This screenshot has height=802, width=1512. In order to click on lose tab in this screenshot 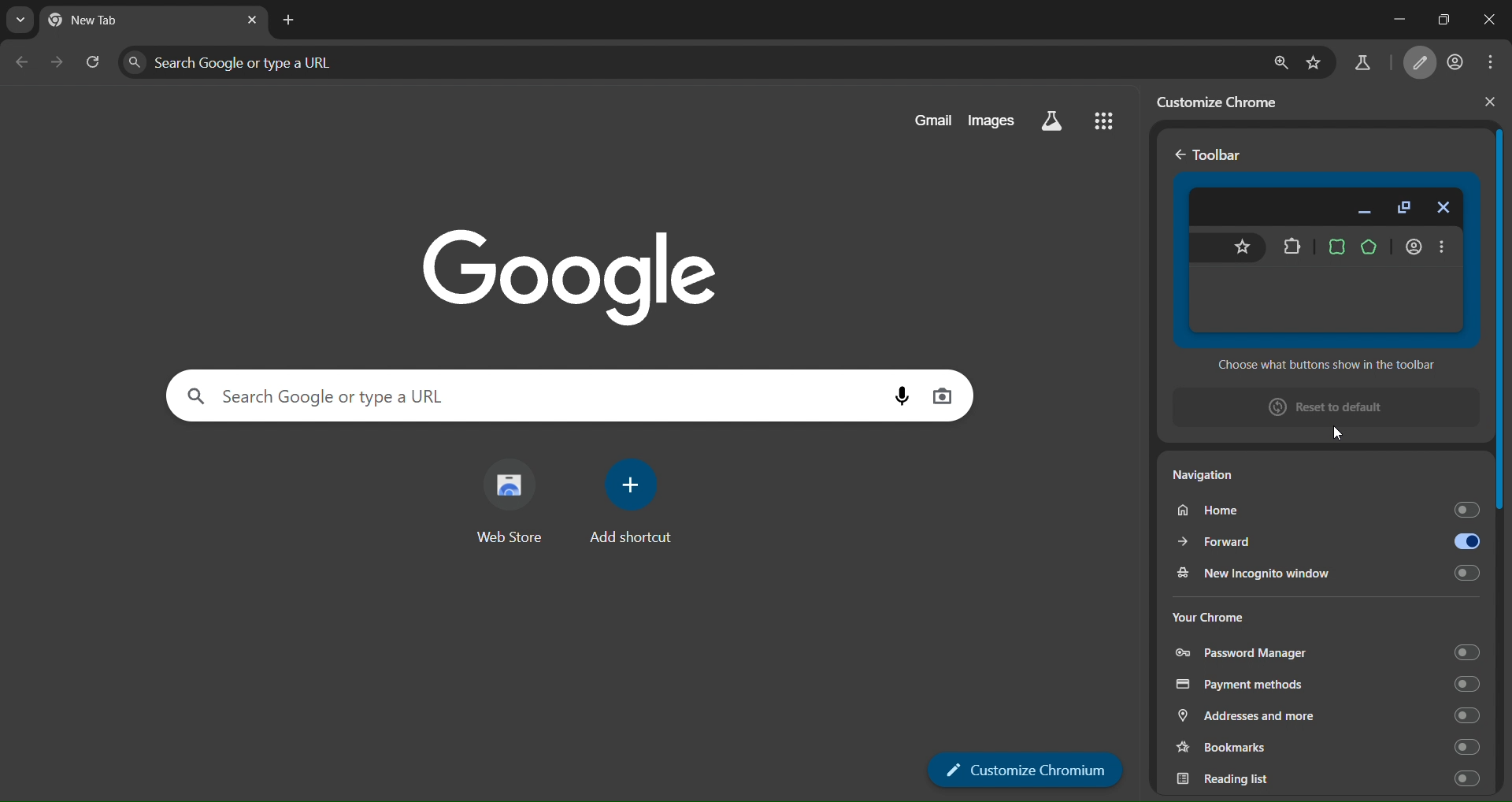, I will do `click(250, 20)`.